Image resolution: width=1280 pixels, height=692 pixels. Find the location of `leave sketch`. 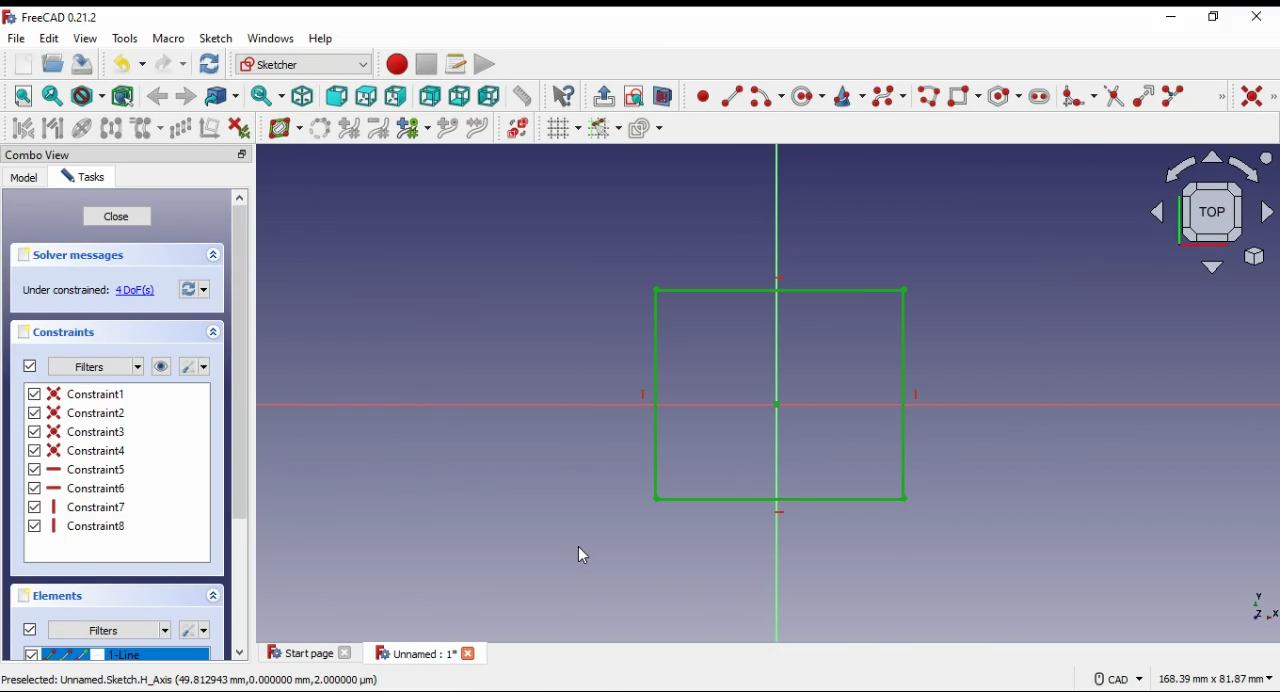

leave sketch is located at coordinates (604, 97).